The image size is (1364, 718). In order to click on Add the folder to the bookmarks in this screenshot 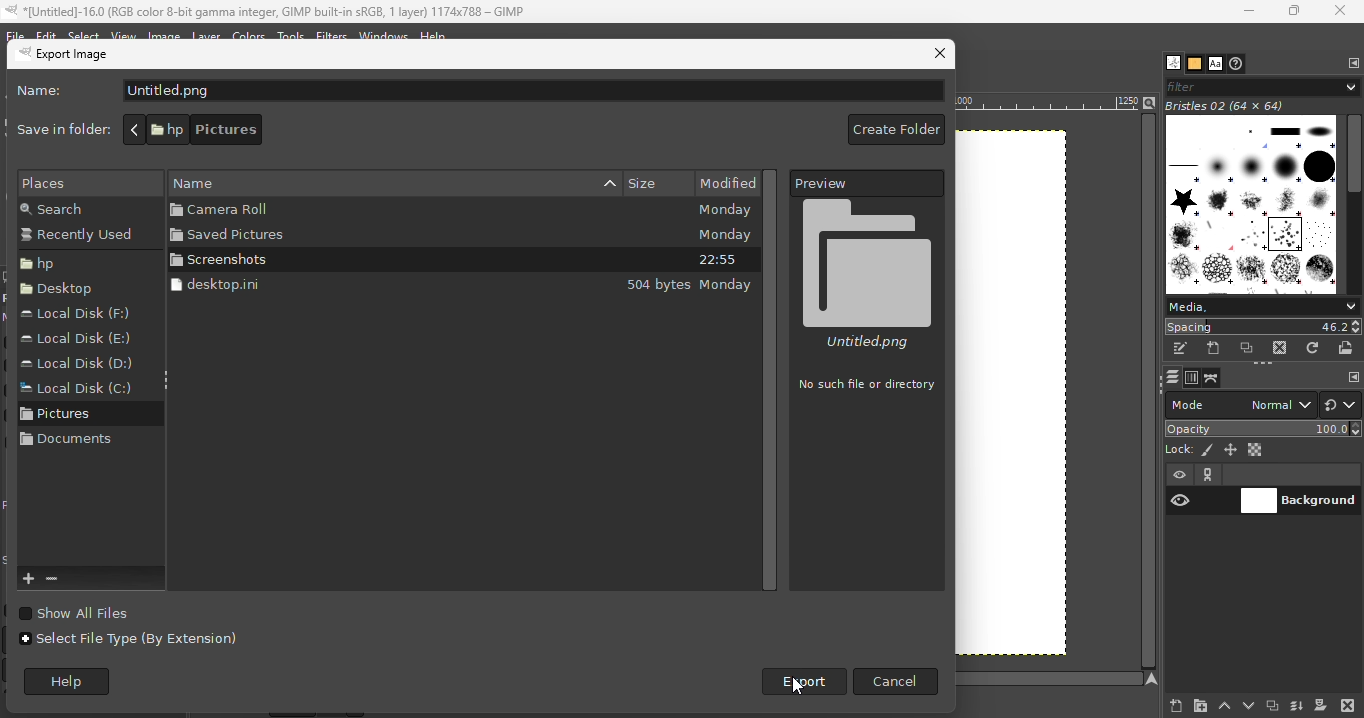, I will do `click(30, 579)`.